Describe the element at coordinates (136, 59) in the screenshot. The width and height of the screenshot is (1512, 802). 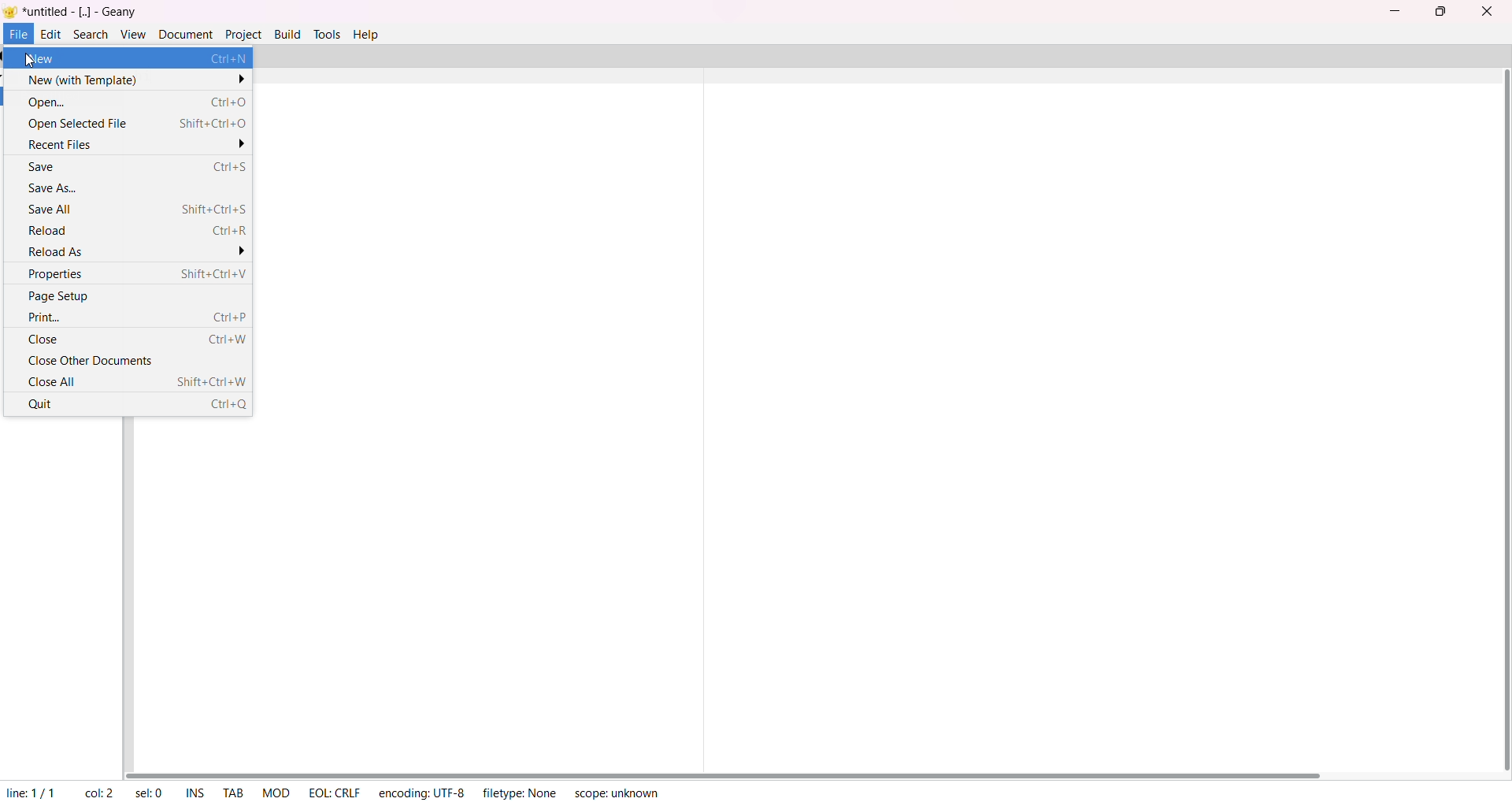
I see `new   Ctrl+N` at that location.